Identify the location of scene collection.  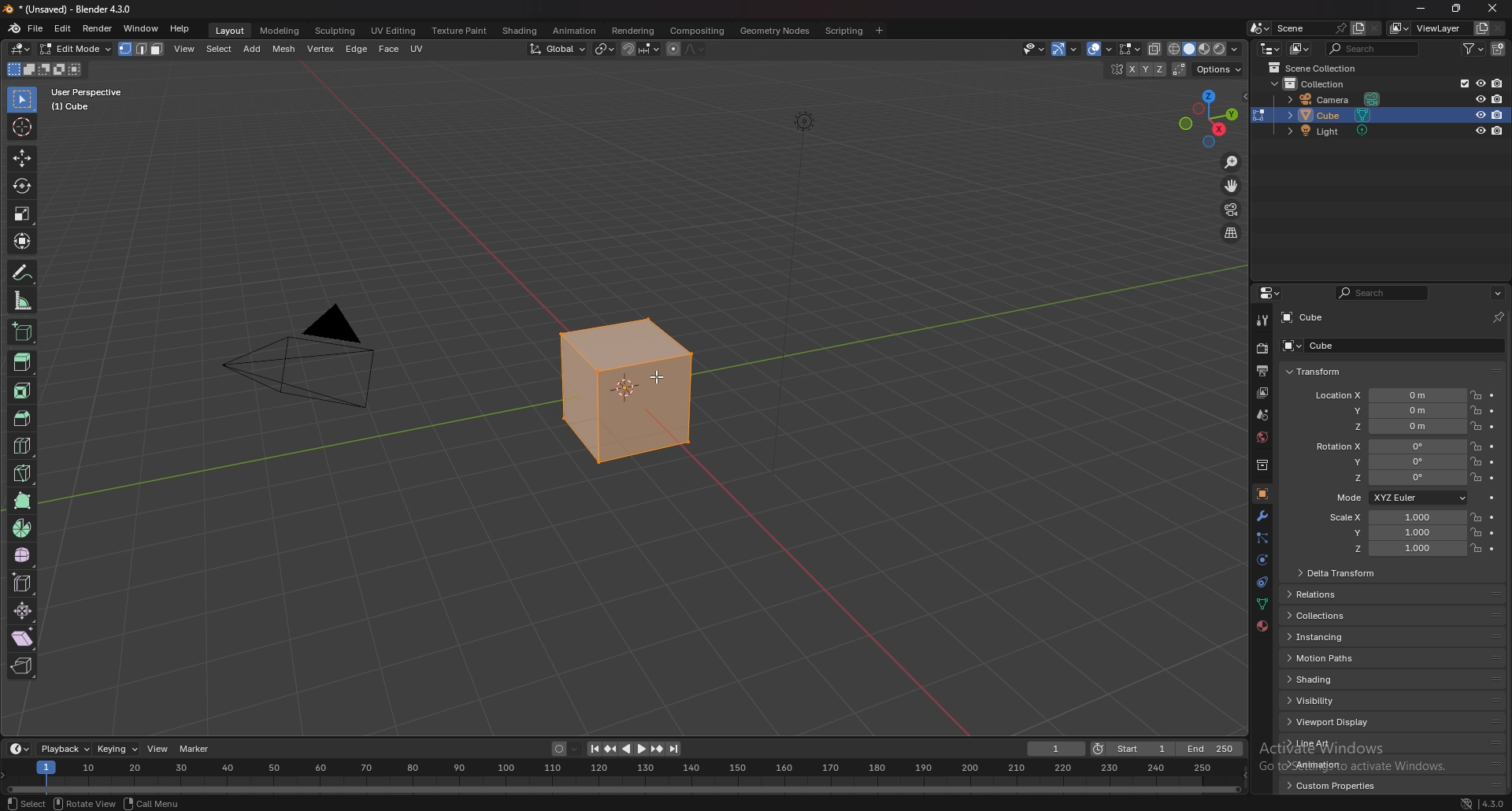
(1320, 67).